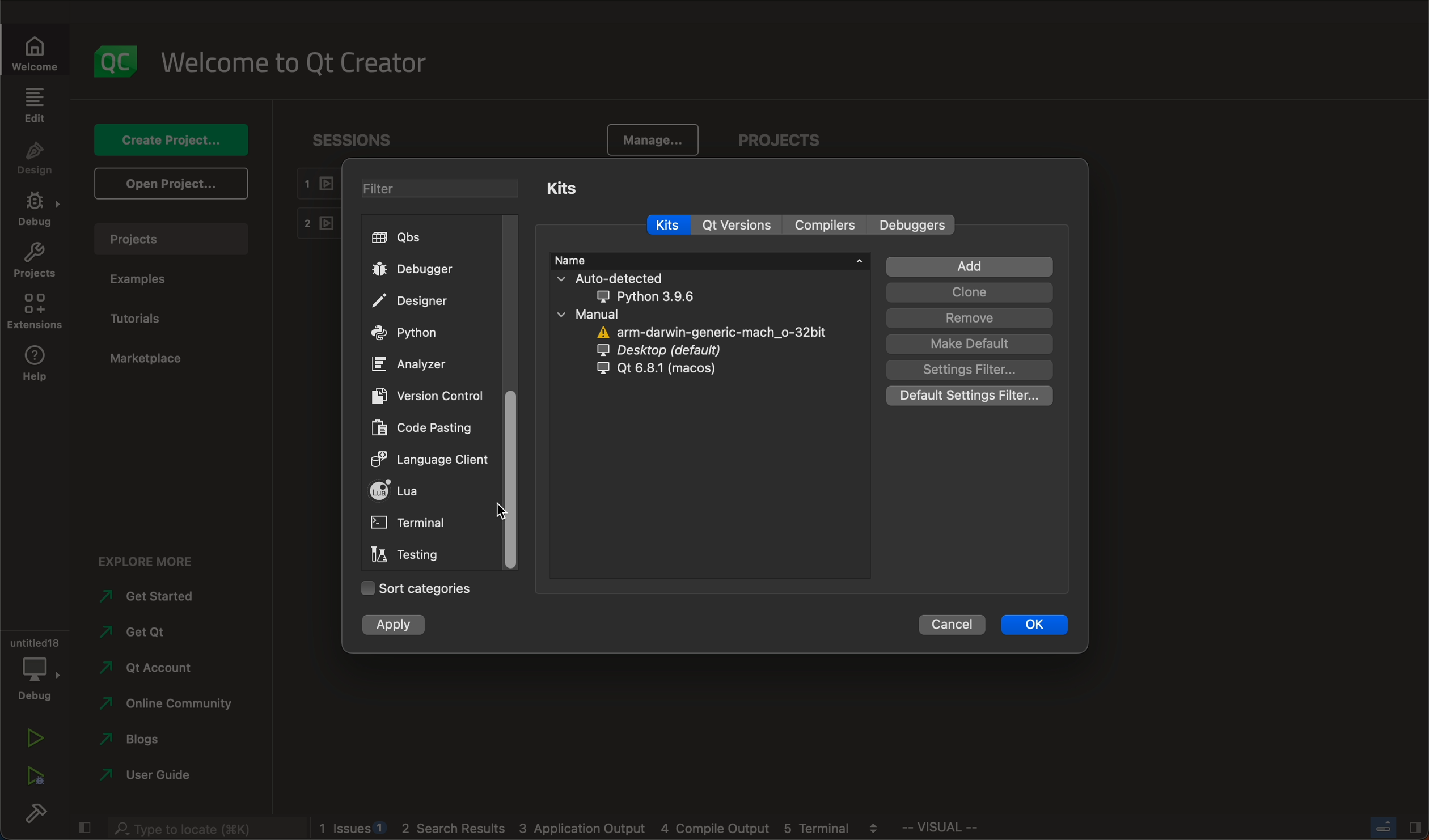 This screenshot has height=840, width=1429. What do you see at coordinates (566, 188) in the screenshot?
I see `kits` at bounding box center [566, 188].